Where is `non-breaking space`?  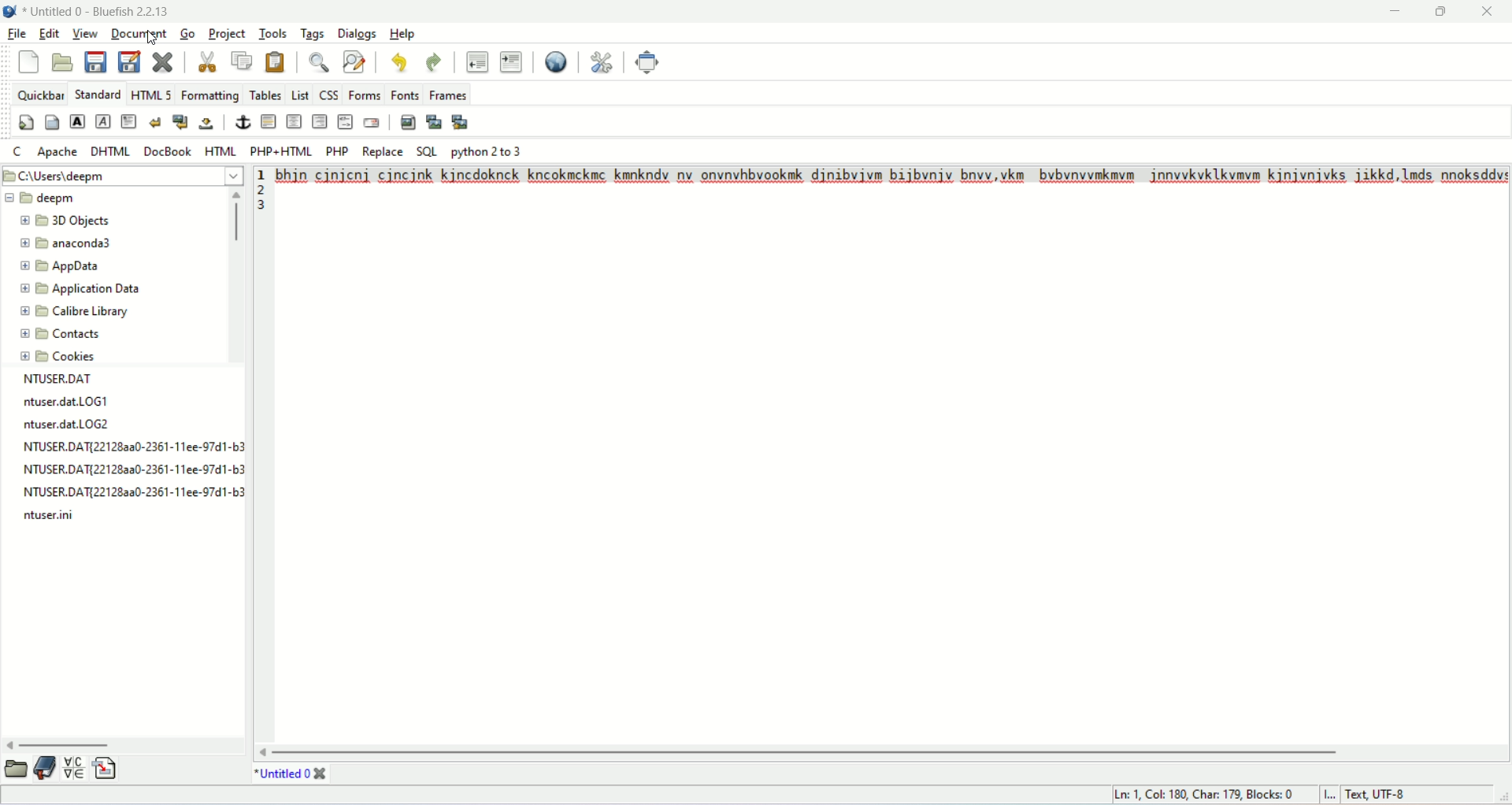 non-breaking space is located at coordinates (209, 125).